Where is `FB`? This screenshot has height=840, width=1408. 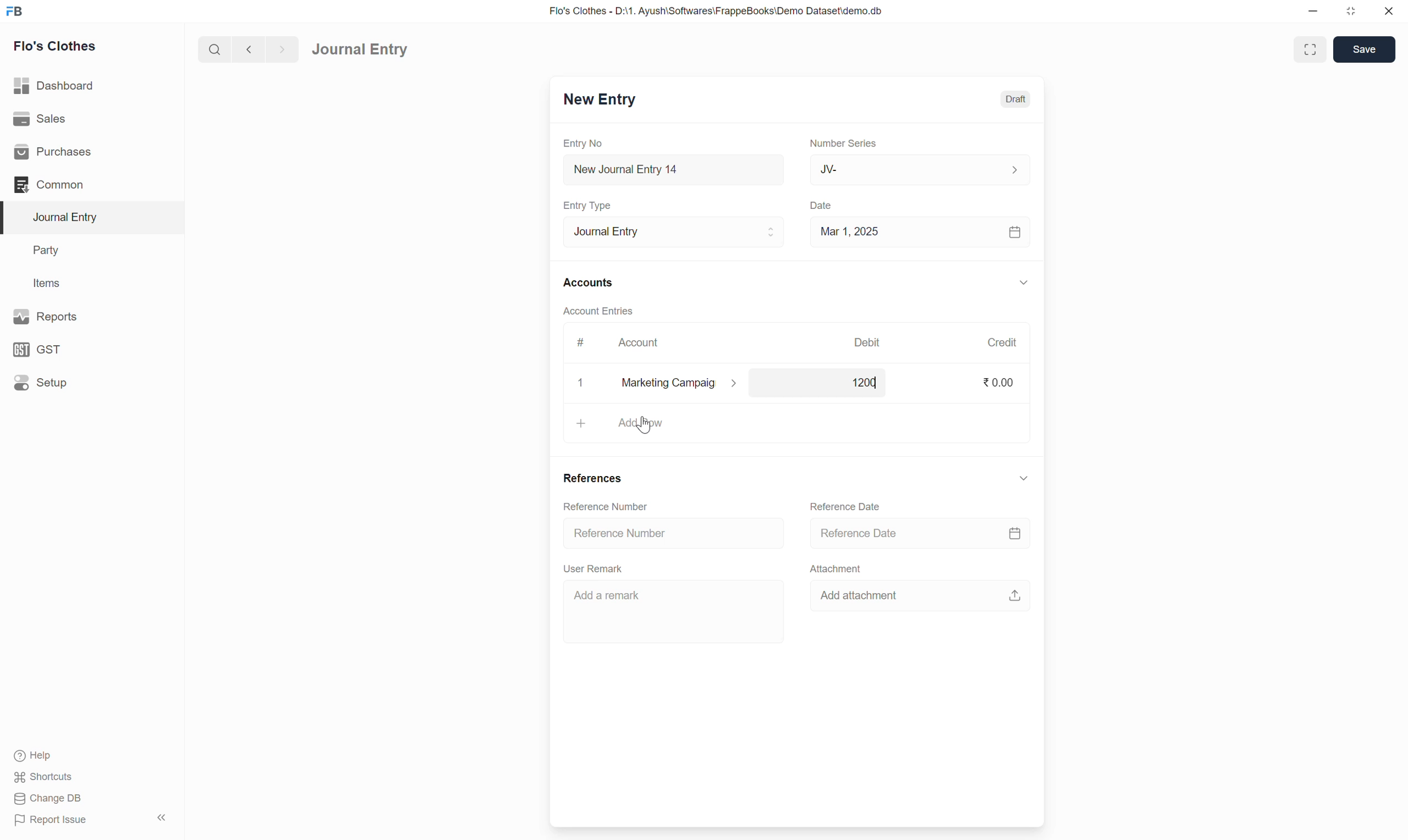 FB is located at coordinates (15, 11).